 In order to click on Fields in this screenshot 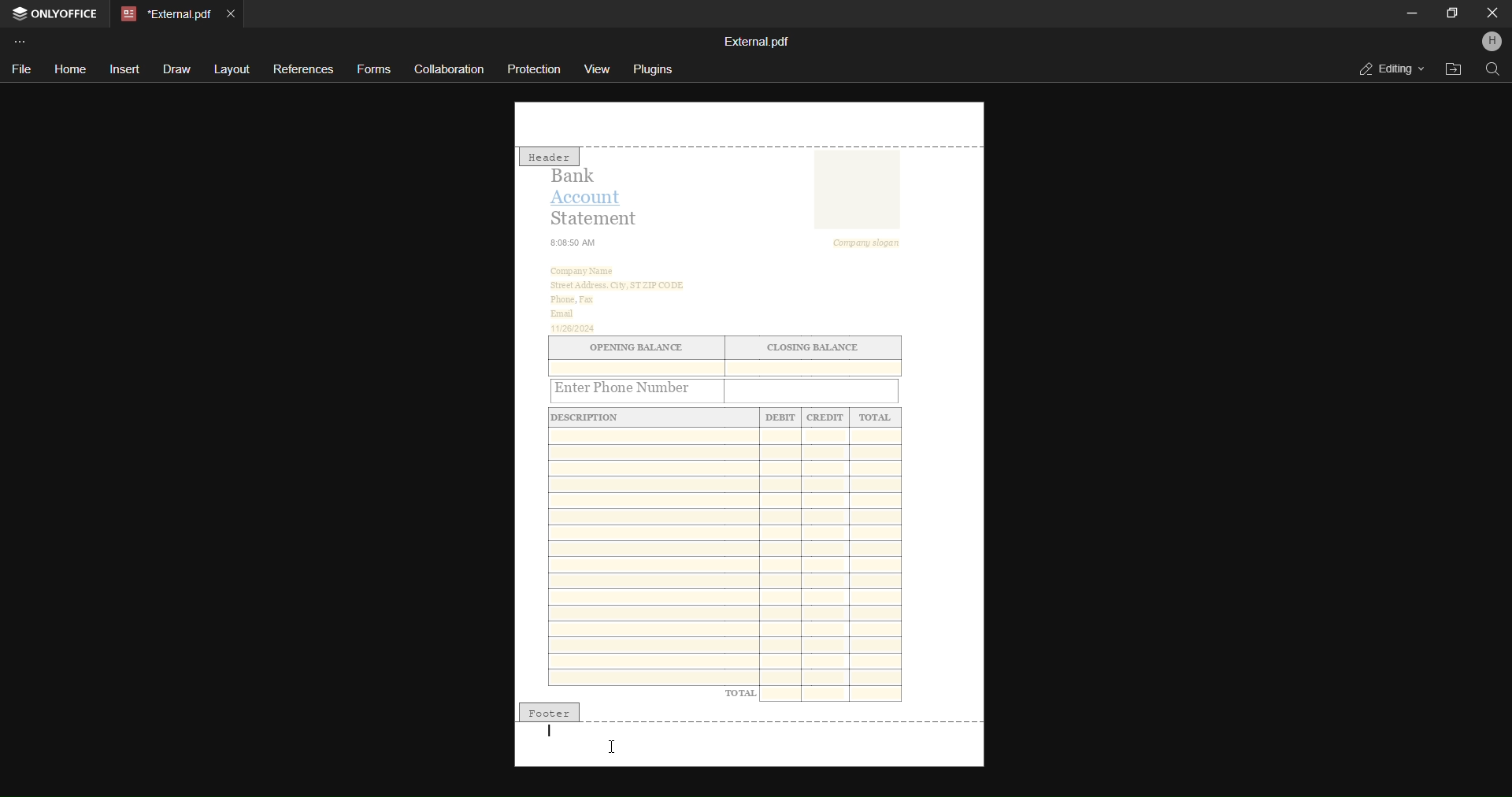, I will do `click(835, 695)`.